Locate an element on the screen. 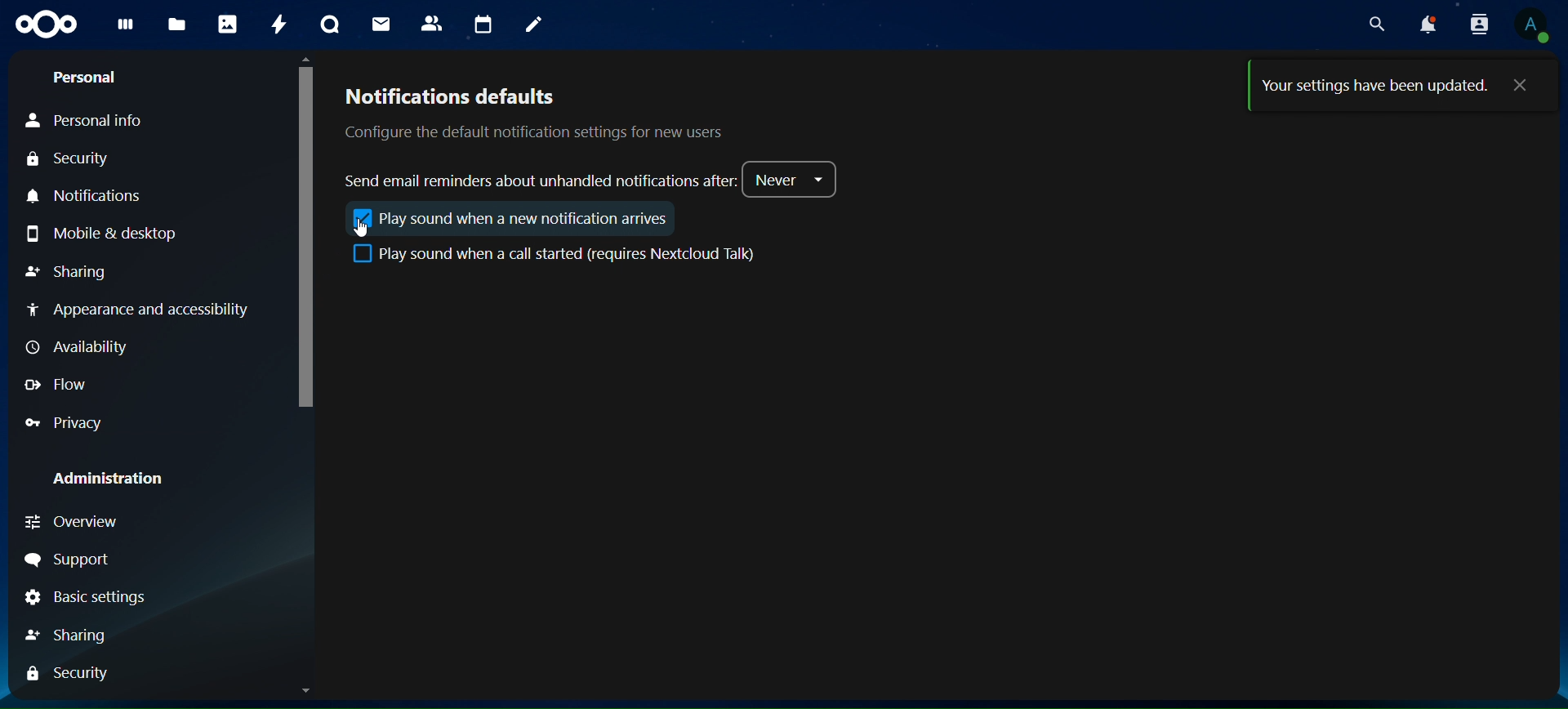  files is located at coordinates (178, 25).